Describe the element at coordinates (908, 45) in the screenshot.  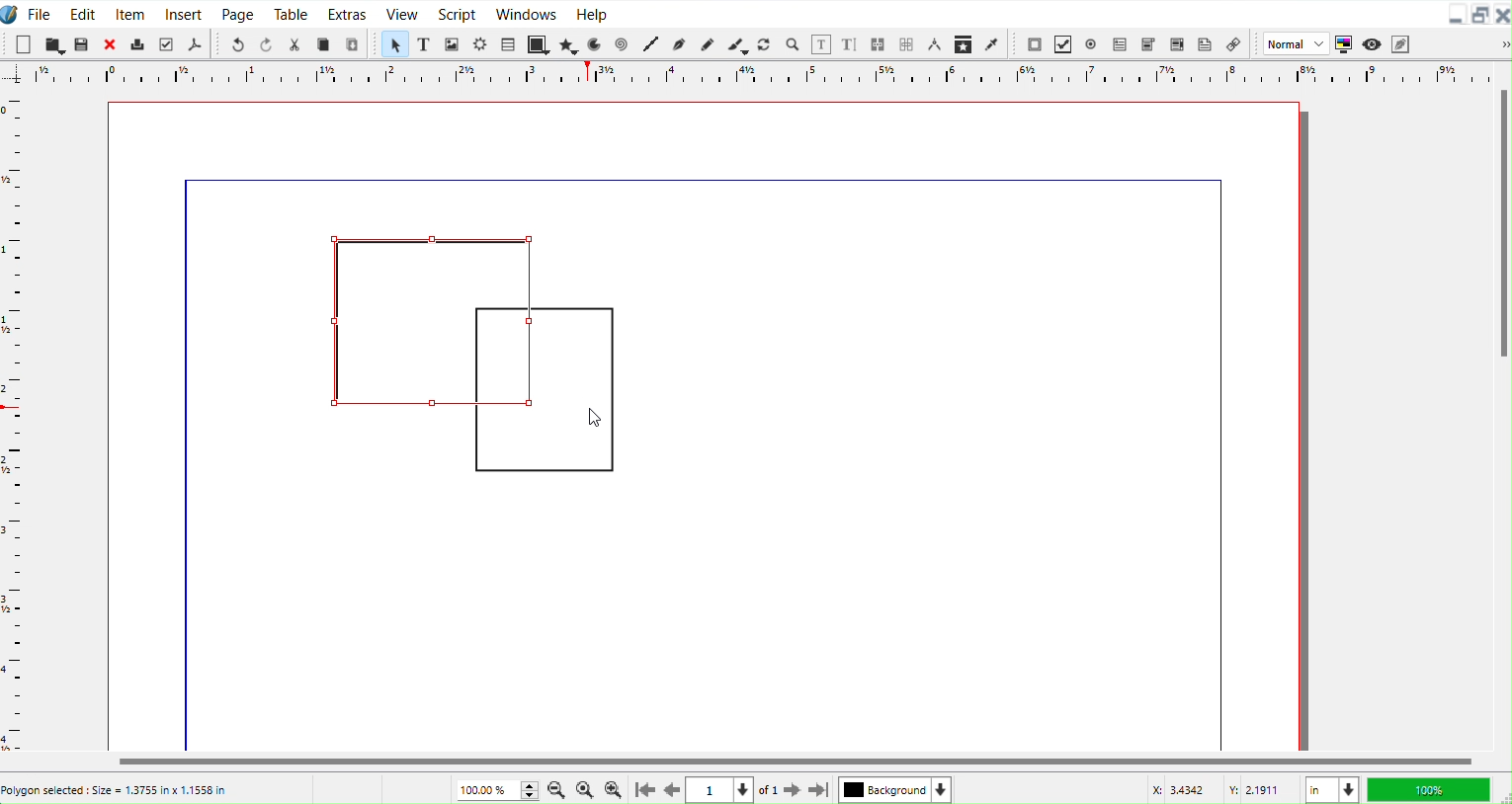
I see `Unlink frame work` at that location.